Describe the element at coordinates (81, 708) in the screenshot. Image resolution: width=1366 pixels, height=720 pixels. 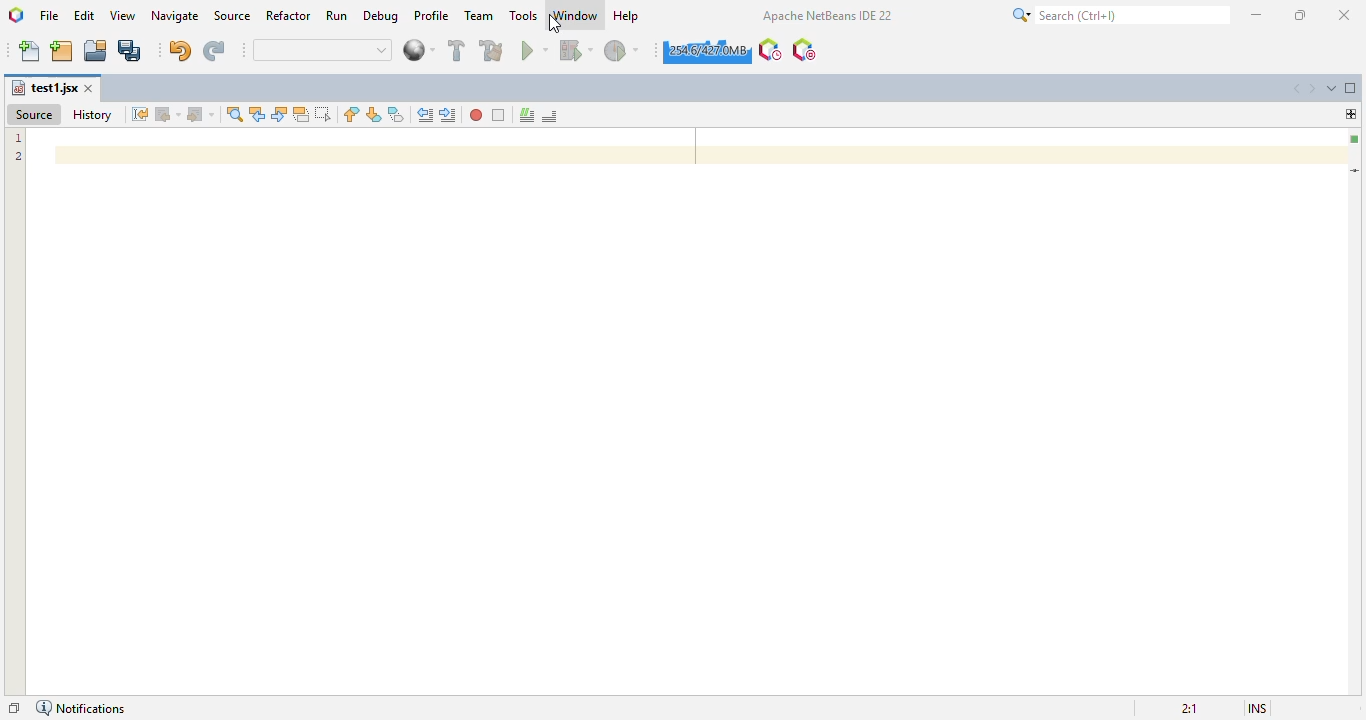
I see `notifications` at that location.